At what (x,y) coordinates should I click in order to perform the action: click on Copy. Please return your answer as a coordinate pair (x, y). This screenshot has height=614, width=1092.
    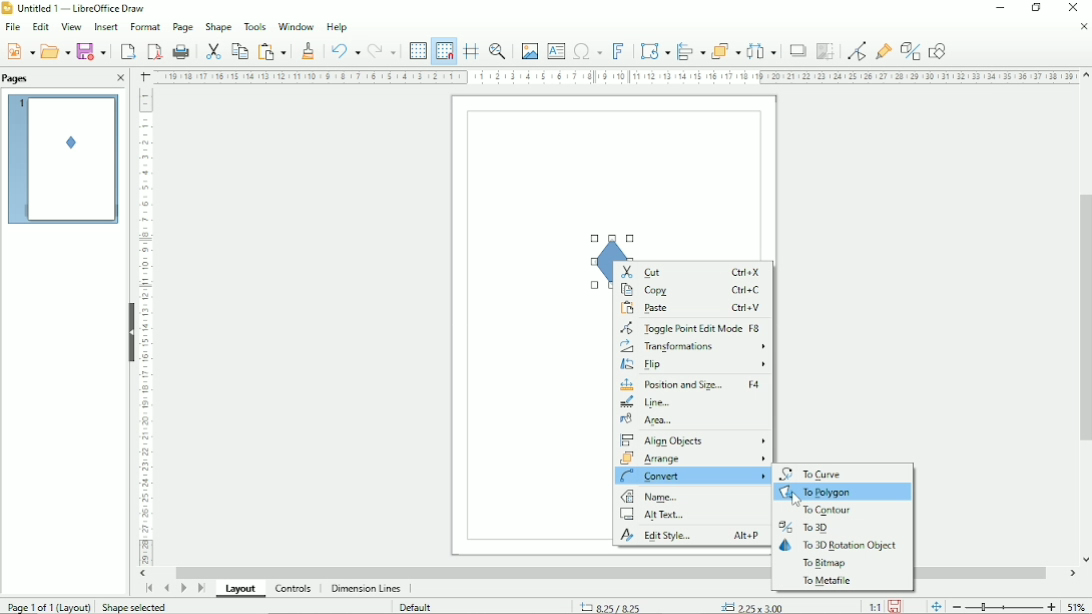
    Looking at the image, I should click on (692, 291).